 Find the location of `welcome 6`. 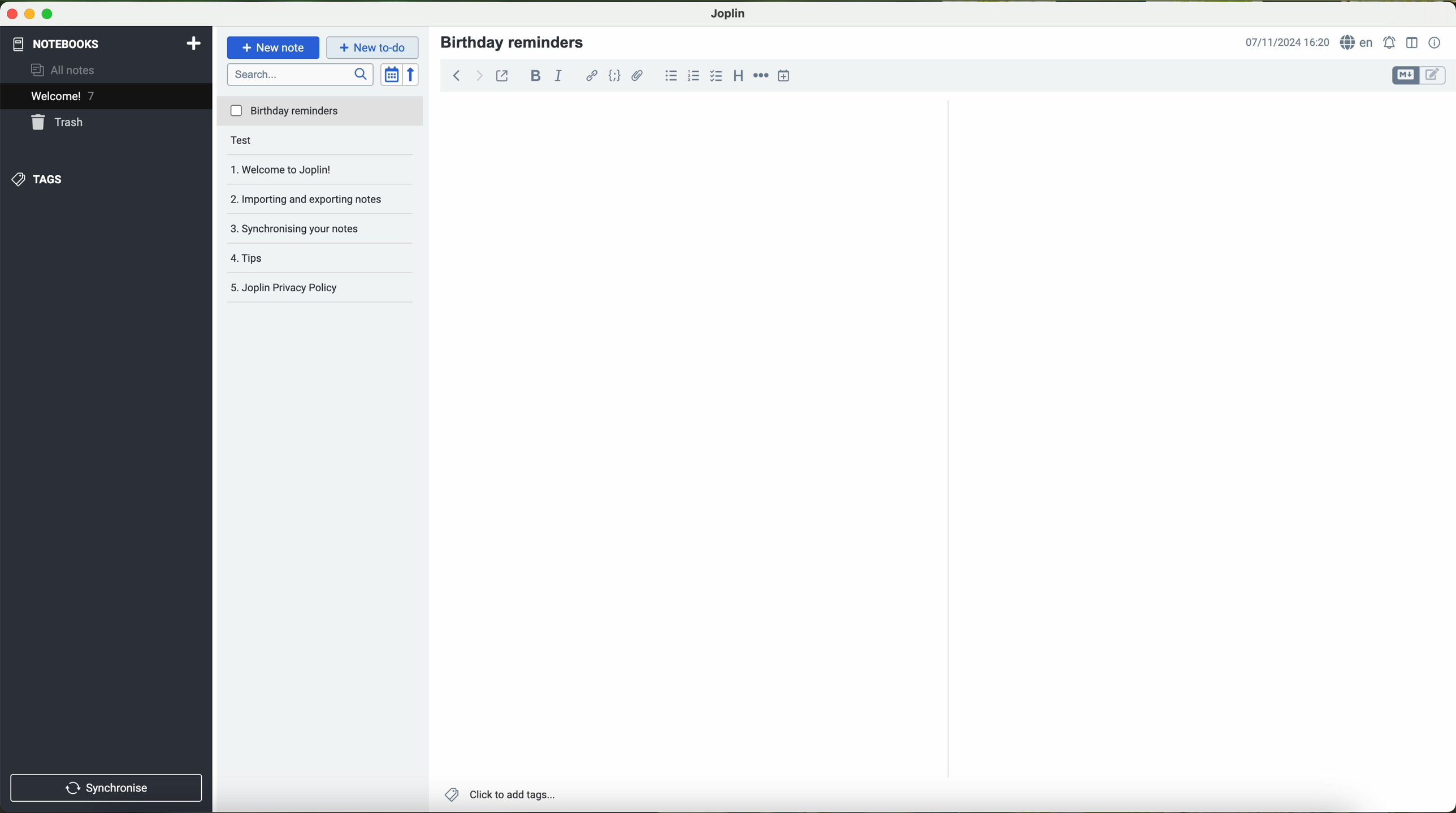

welcome 6 is located at coordinates (64, 97).